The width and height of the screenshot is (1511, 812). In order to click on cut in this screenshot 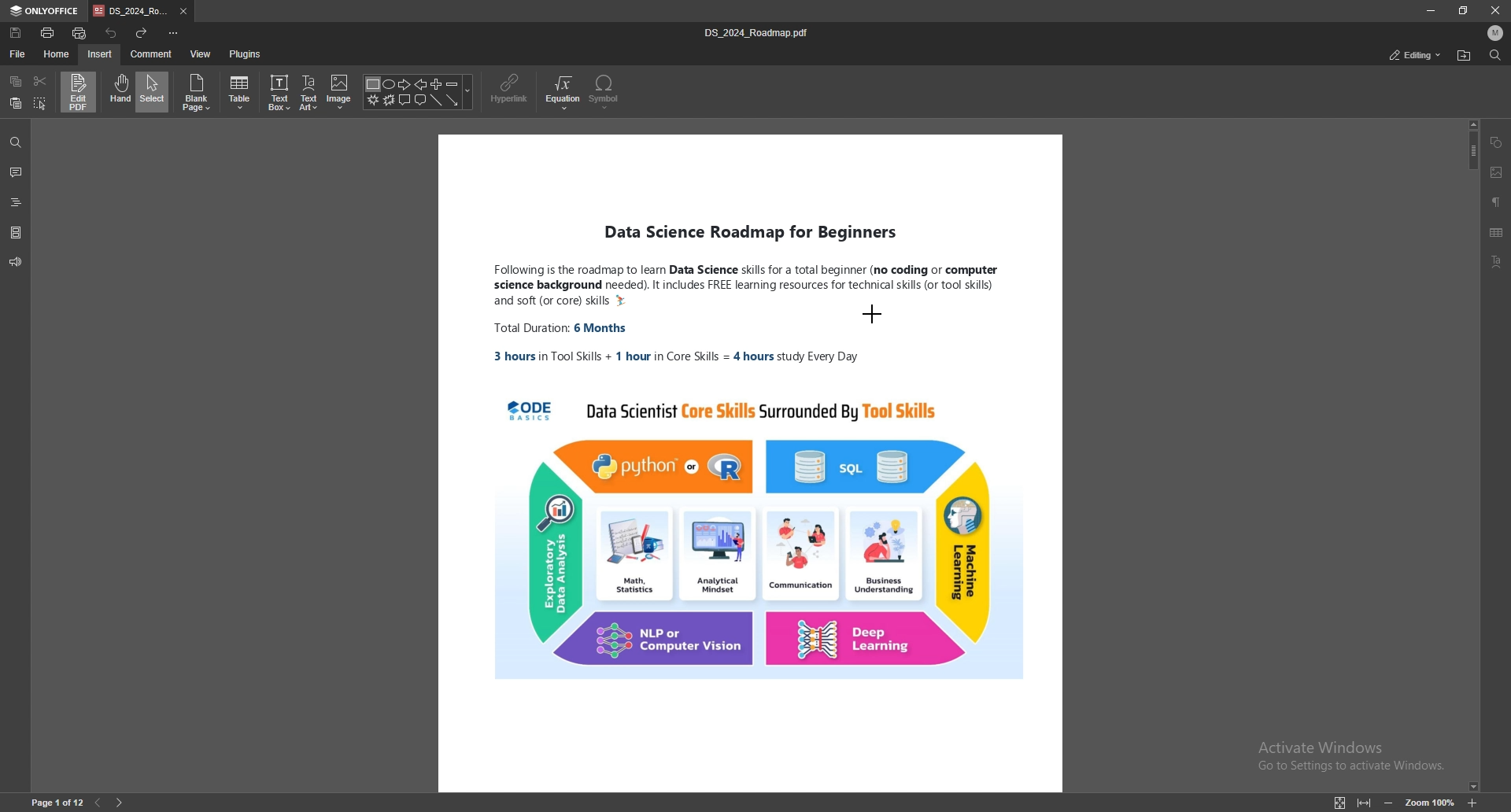, I will do `click(39, 80)`.